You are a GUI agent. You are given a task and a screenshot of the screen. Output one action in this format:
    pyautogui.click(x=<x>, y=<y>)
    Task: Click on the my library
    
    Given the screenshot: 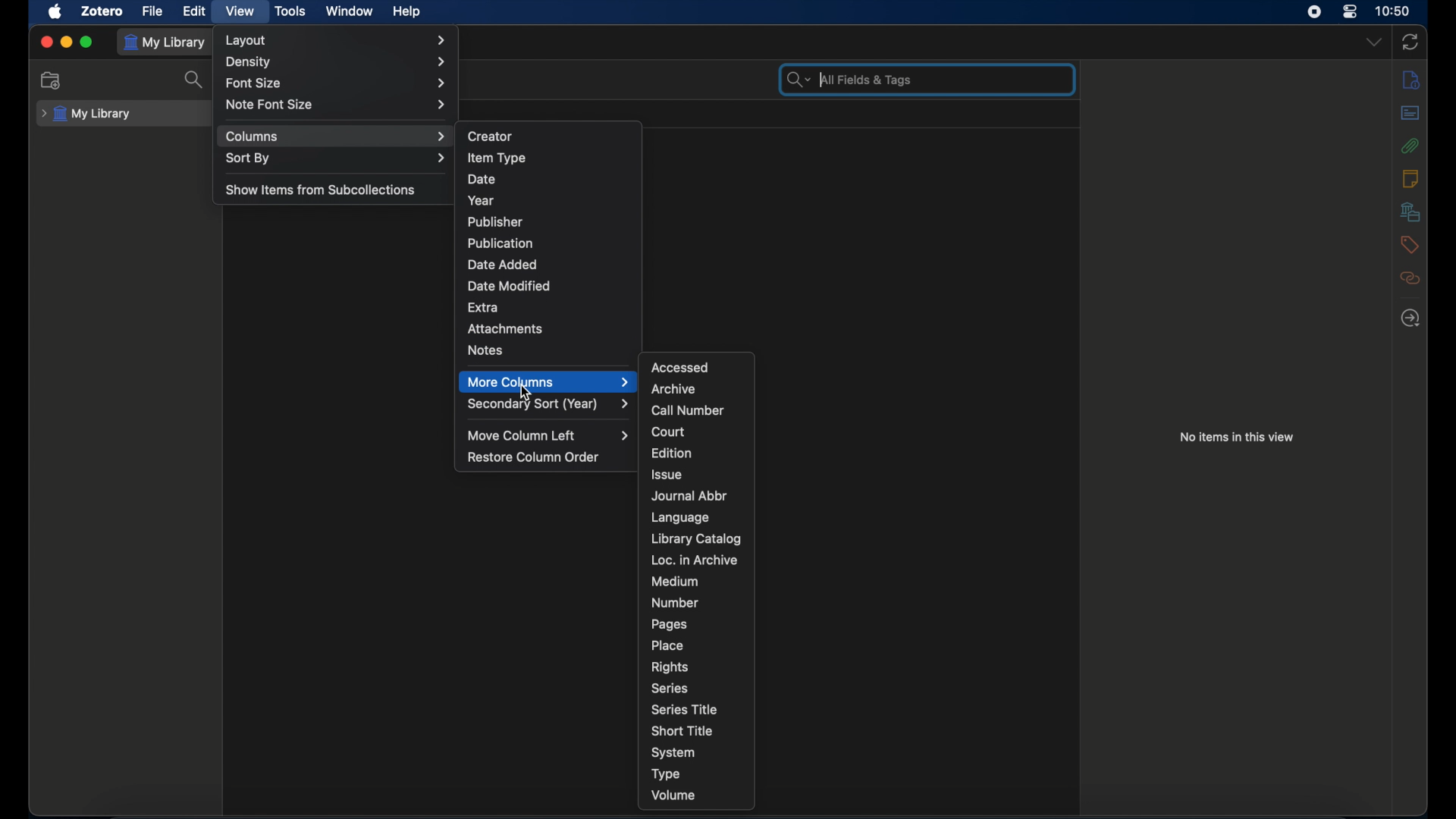 What is the action you would take?
    pyautogui.click(x=165, y=43)
    